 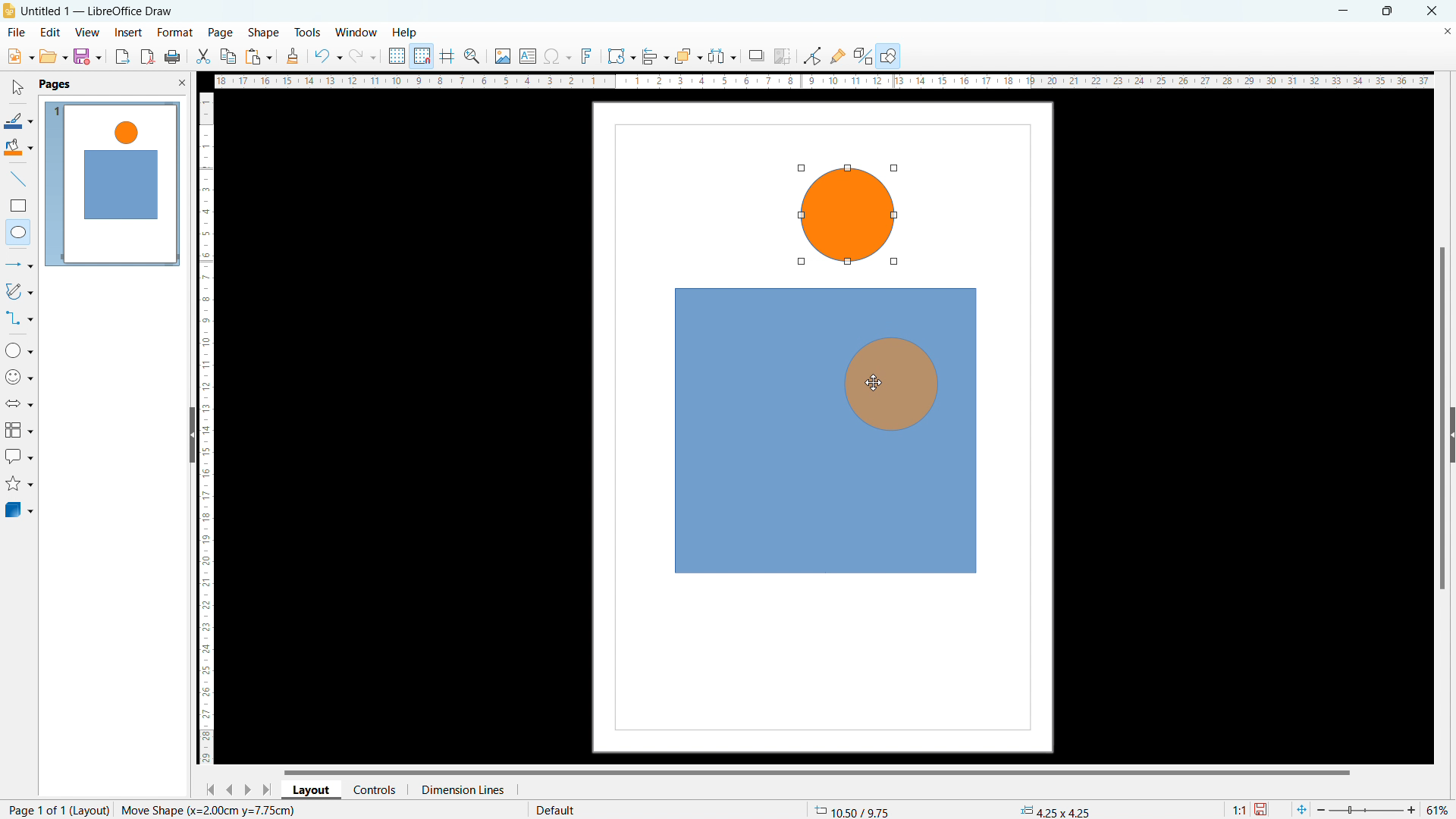 What do you see at coordinates (91, 810) in the screenshot?
I see `layout` at bounding box center [91, 810].